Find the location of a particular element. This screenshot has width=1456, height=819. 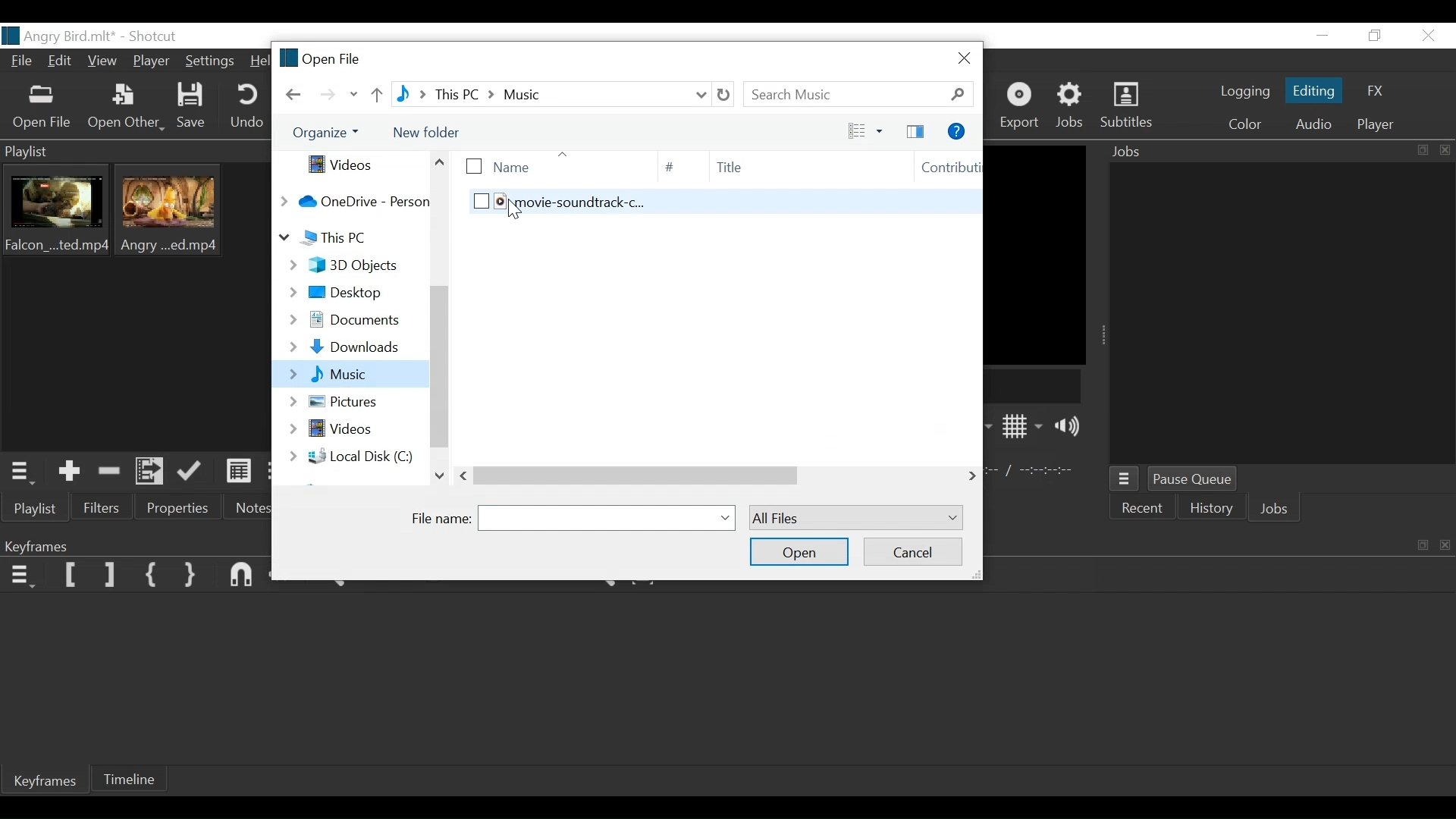

Export is located at coordinates (1023, 106).